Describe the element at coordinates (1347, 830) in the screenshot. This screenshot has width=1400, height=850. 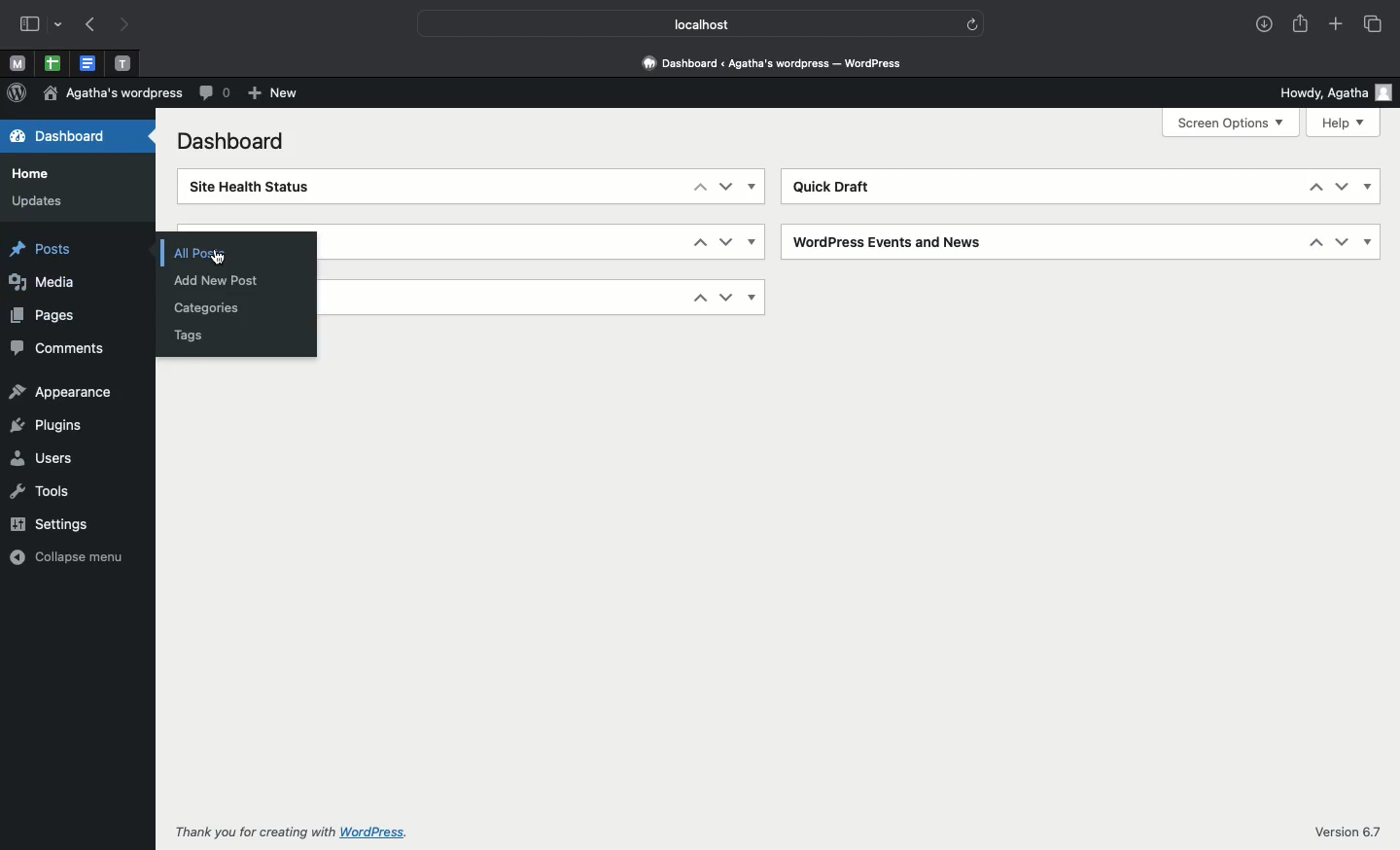
I see `Version 6.7` at that location.